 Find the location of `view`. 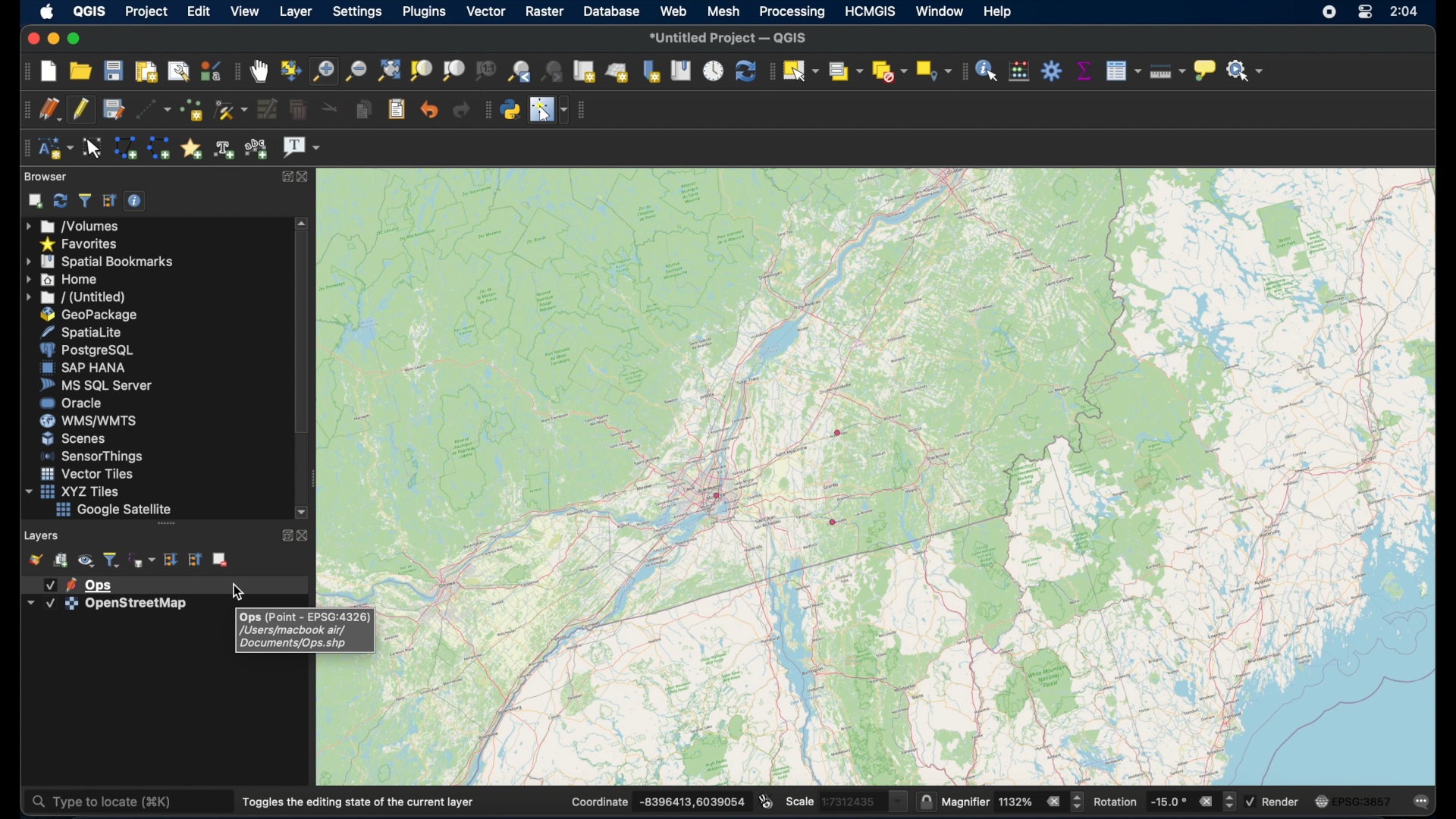

view is located at coordinates (243, 11).